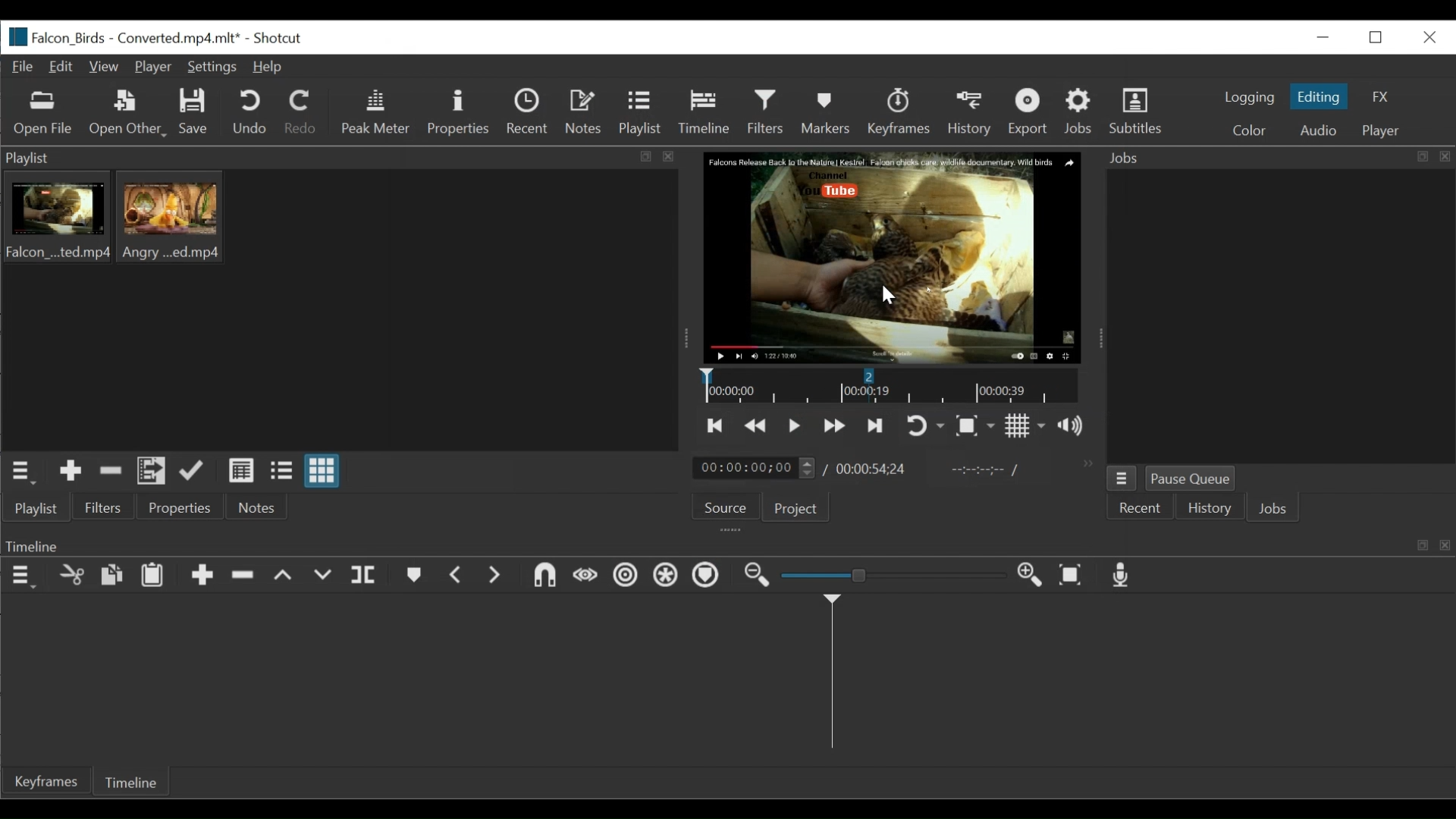  What do you see at coordinates (891, 576) in the screenshot?
I see `Adjust Zoom timeline Slider` at bounding box center [891, 576].